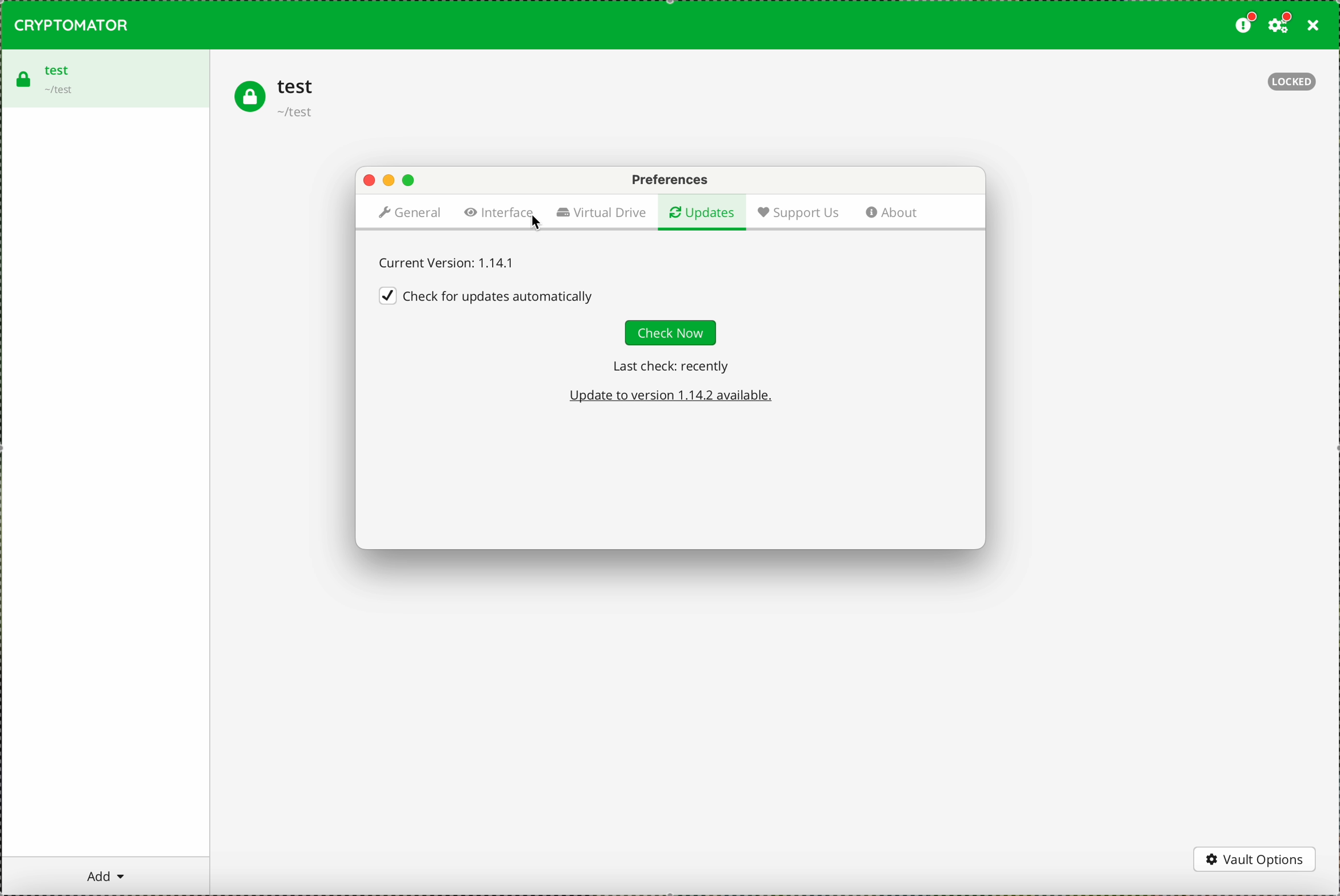 The height and width of the screenshot is (896, 1340). I want to click on test vault, so click(275, 98).